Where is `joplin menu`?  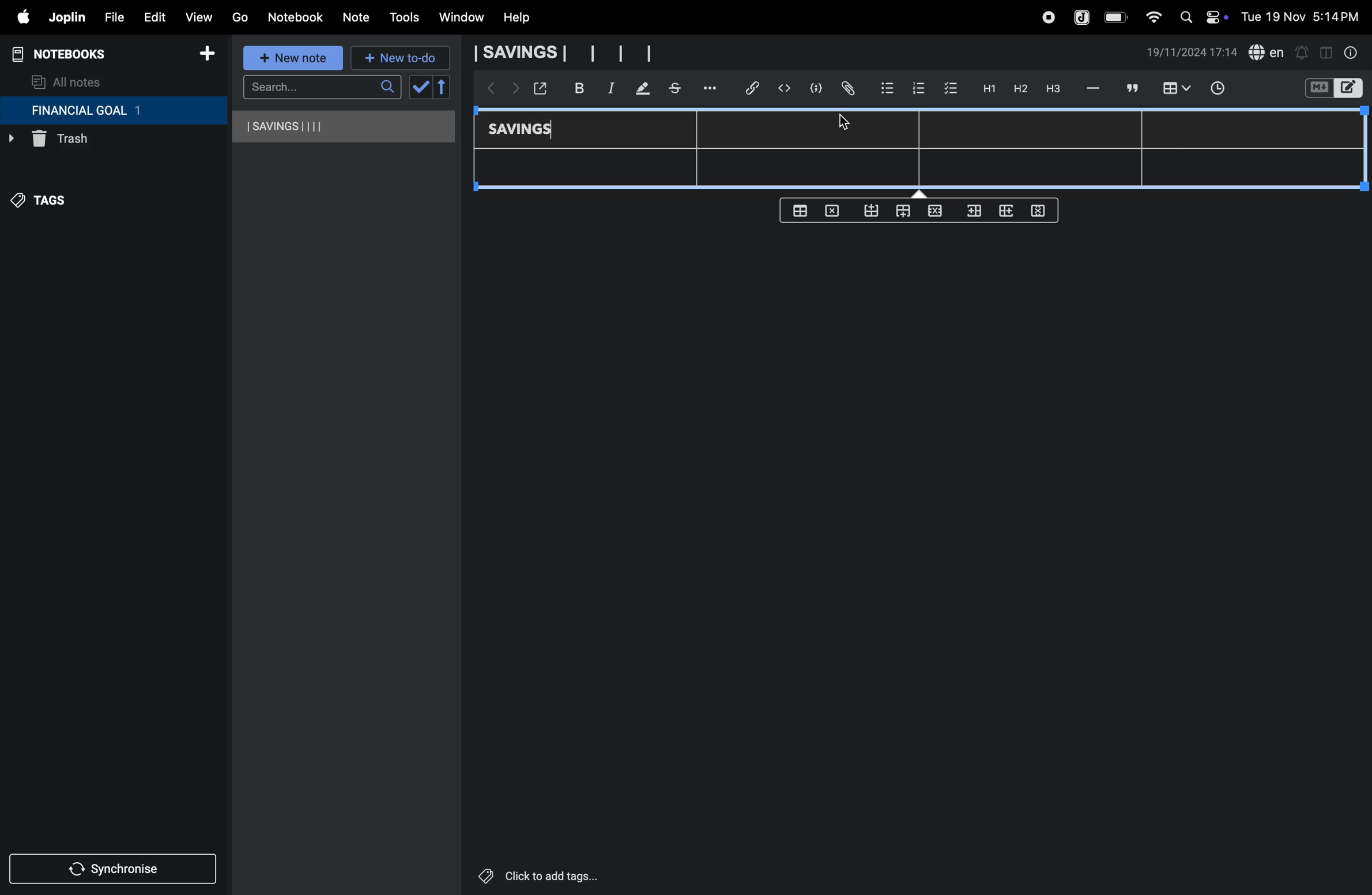 joplin menu is located at coordinates (65, 17).